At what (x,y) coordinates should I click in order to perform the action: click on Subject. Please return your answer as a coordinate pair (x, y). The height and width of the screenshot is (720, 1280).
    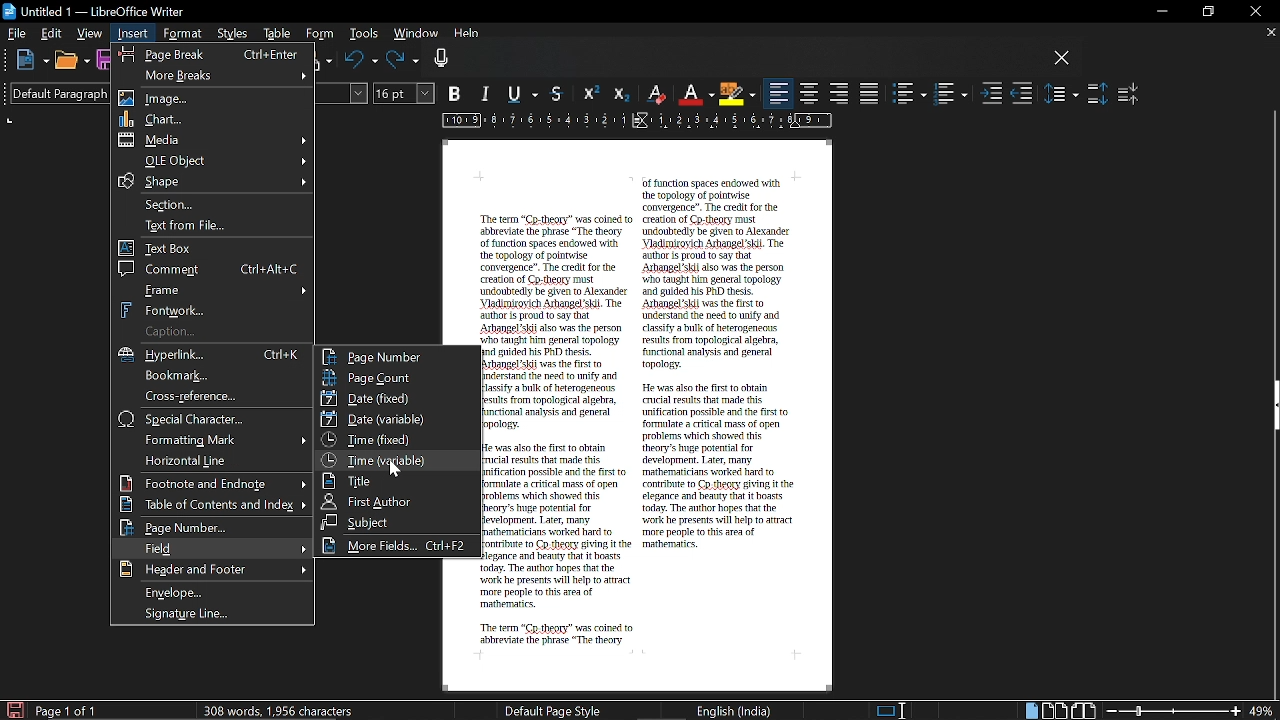
    Looking at the image, I should click on (395, 522).